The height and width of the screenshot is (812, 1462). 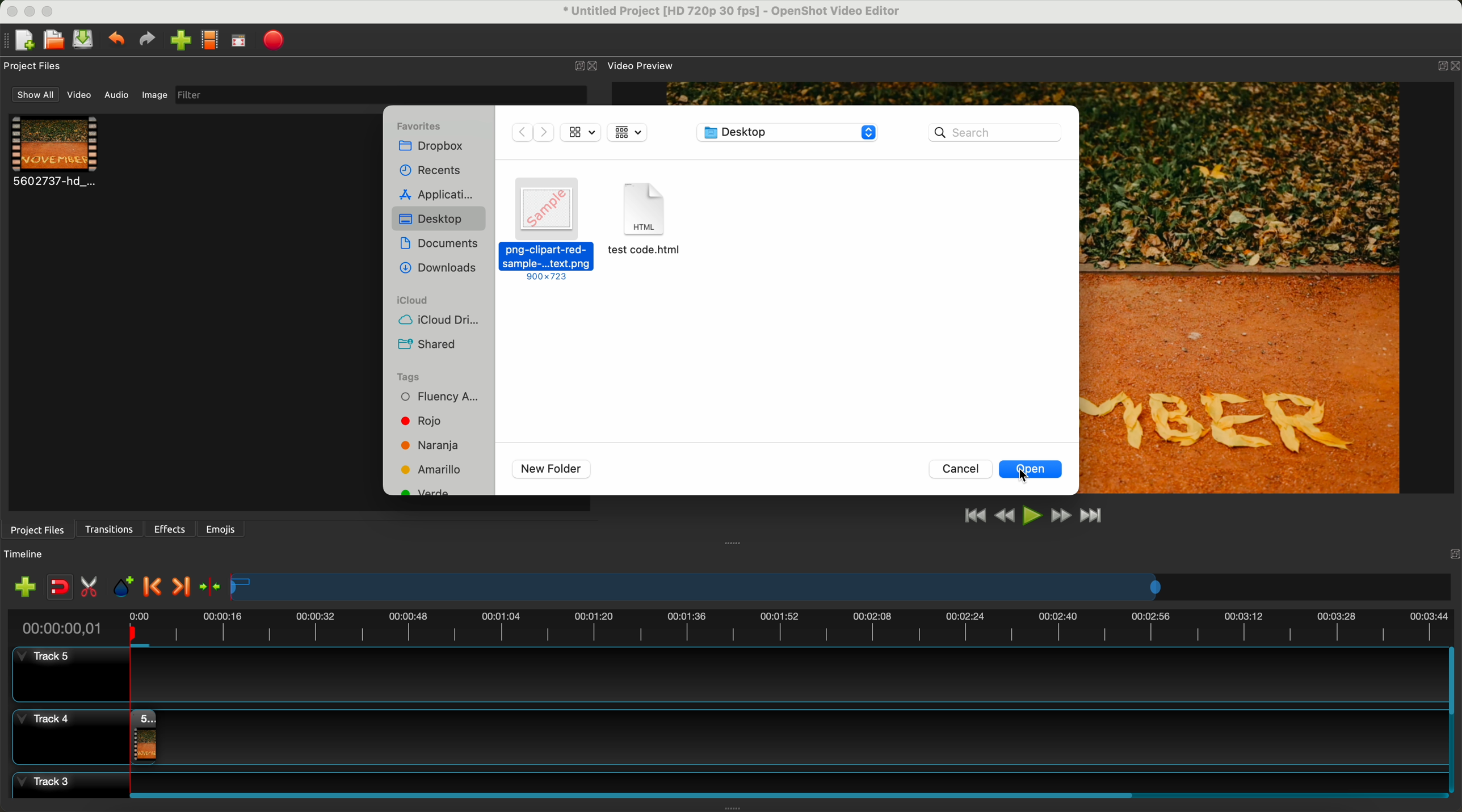 I want to click on ruency, so click(x=447, y=399).